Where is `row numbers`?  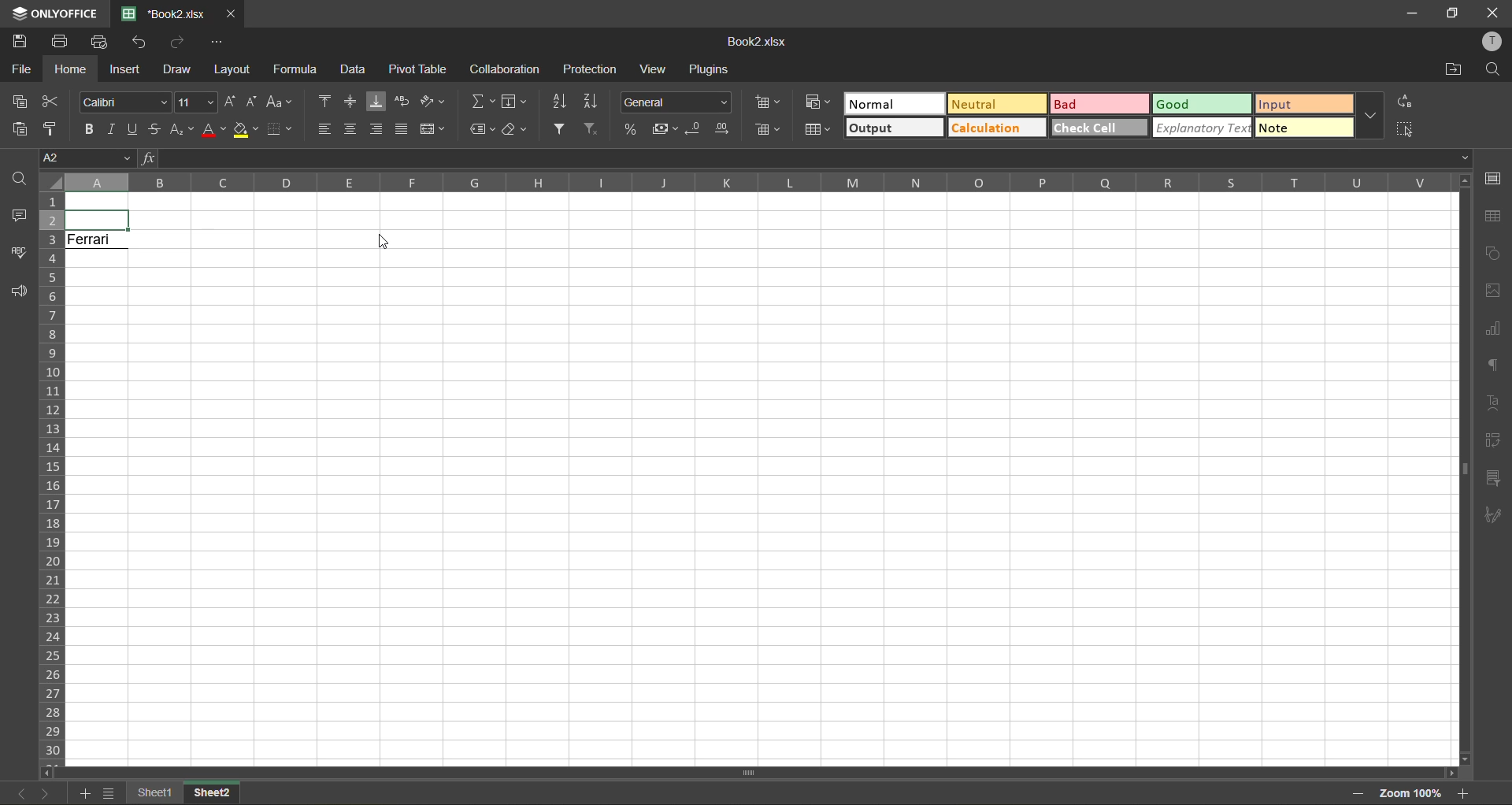 row numbers is located at coordinates (52, 476).